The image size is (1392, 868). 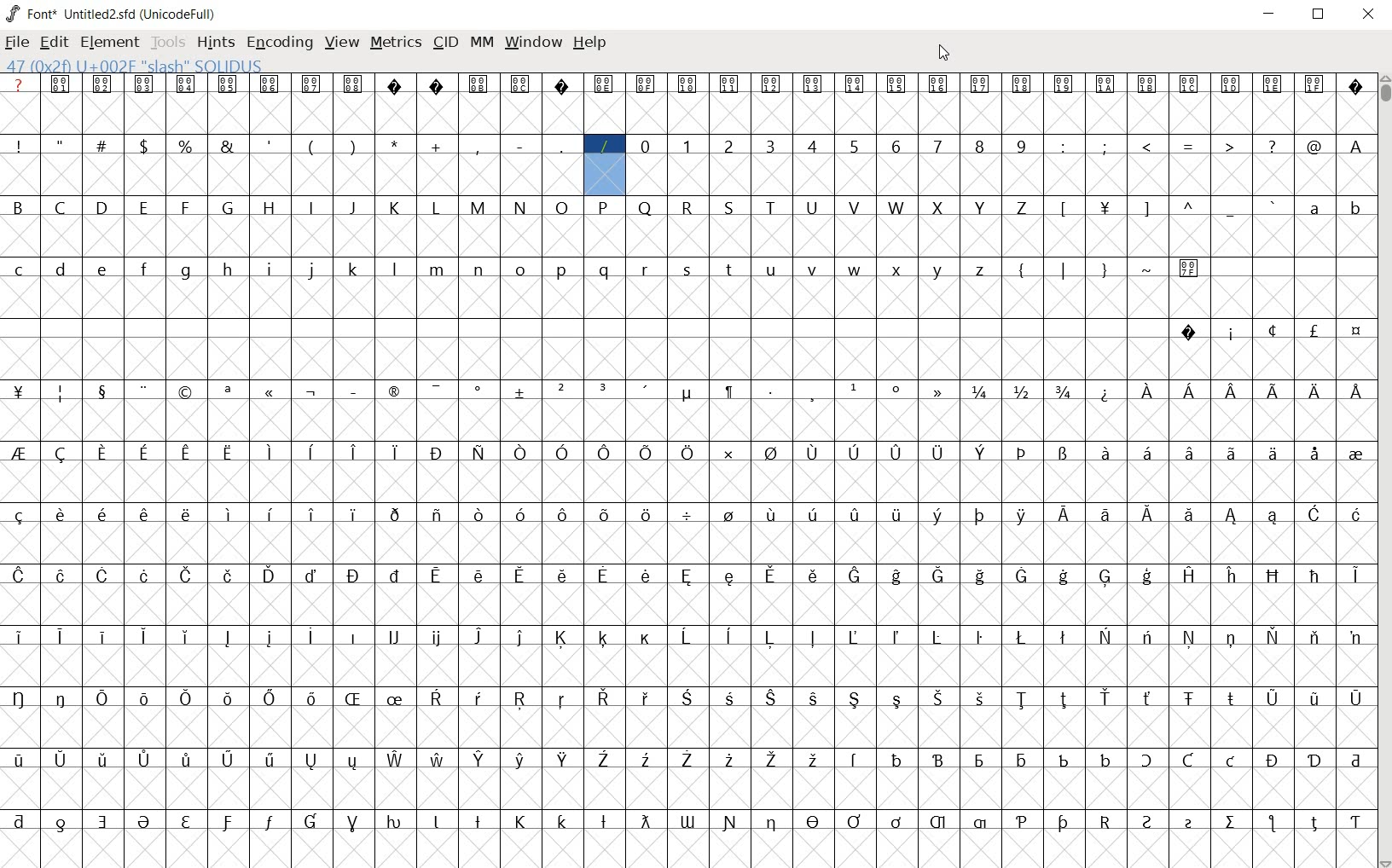 I want to click on glyph, so click(x=897, y=701).